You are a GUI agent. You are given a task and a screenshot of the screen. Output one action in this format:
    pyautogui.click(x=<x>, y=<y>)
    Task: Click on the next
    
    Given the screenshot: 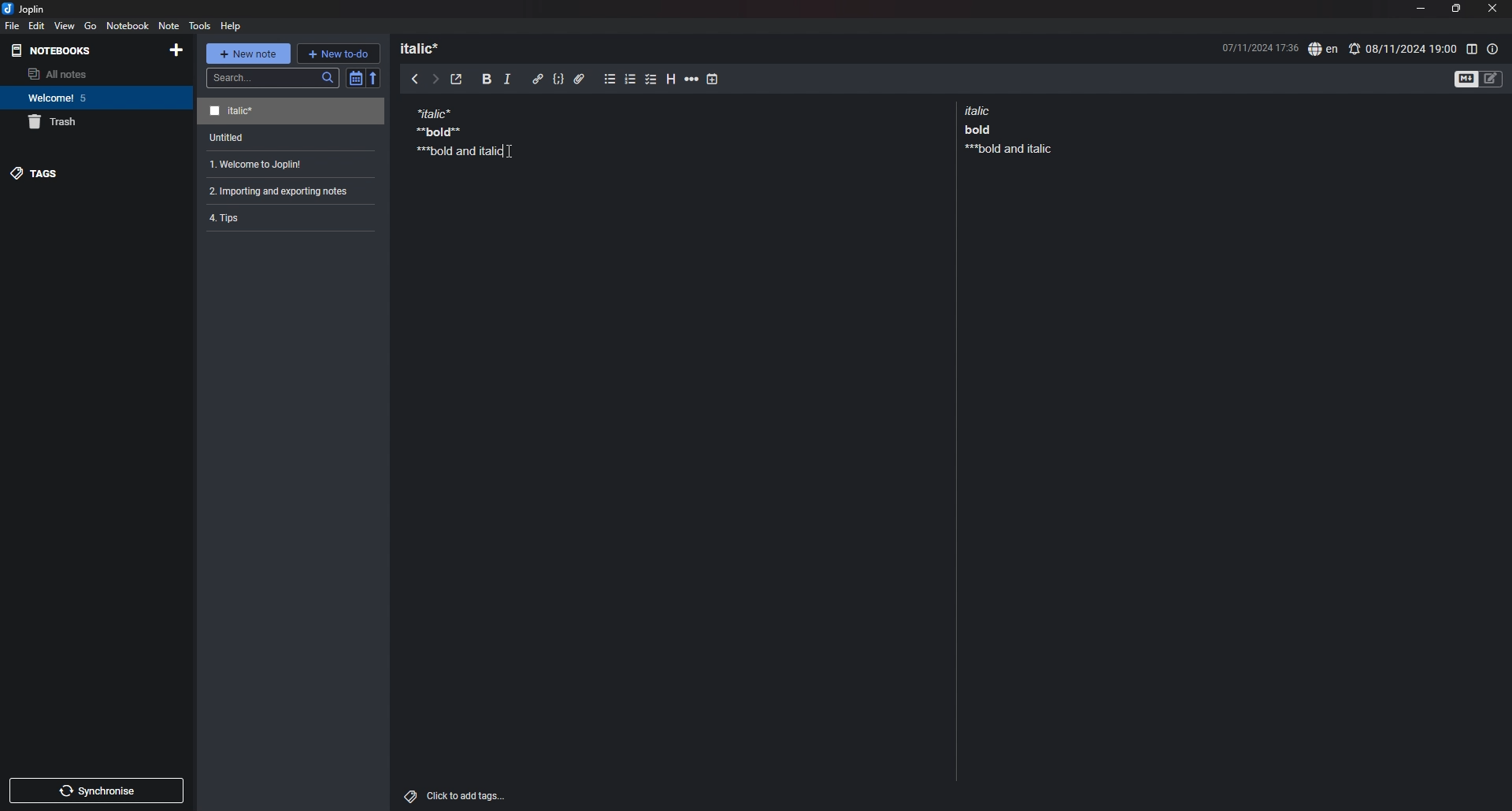 What is the action you would take?
    pyautogui.click(x=435, y=80)
    